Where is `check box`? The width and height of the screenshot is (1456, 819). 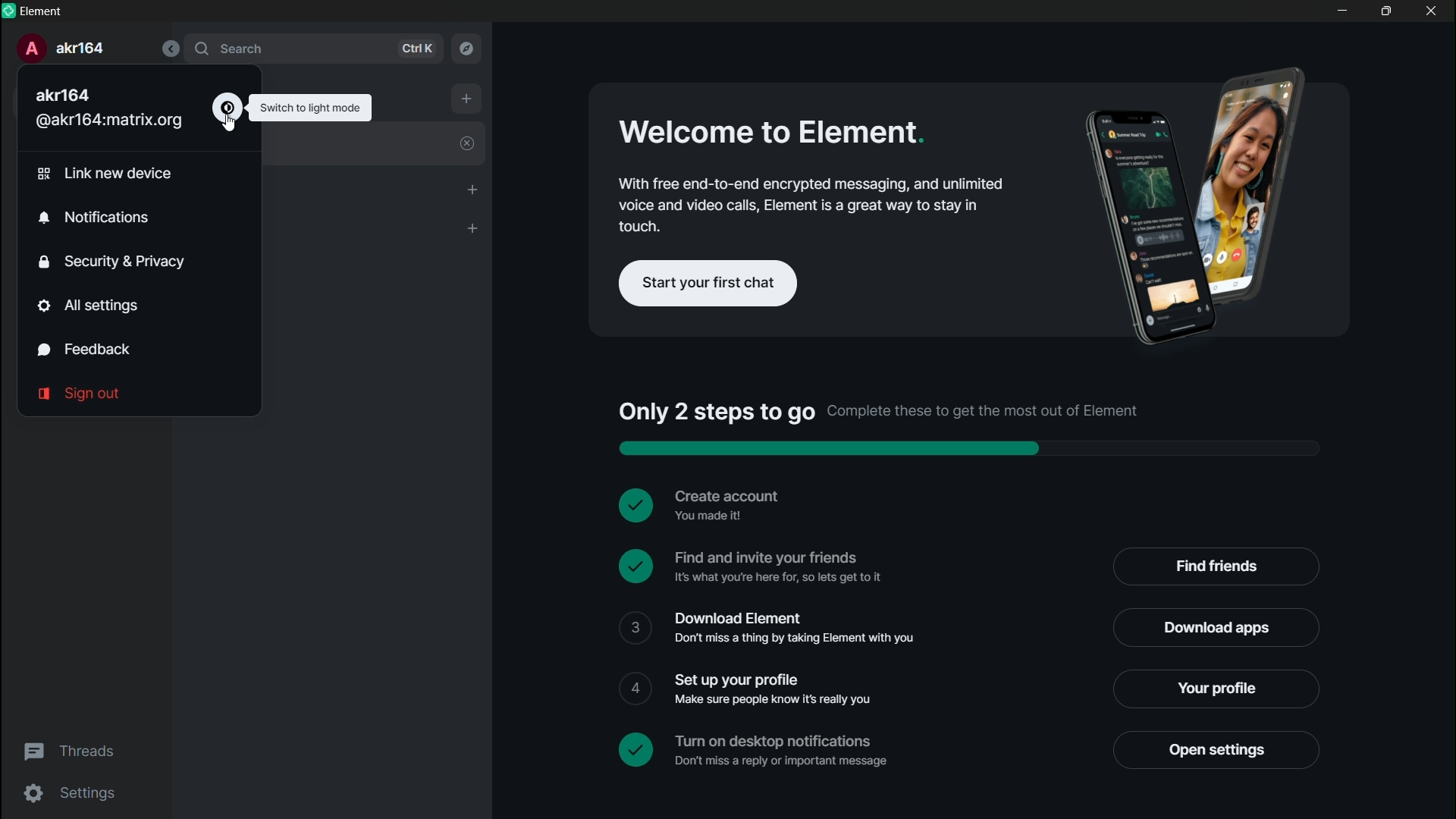
check box is located at coordinates (632, 629).